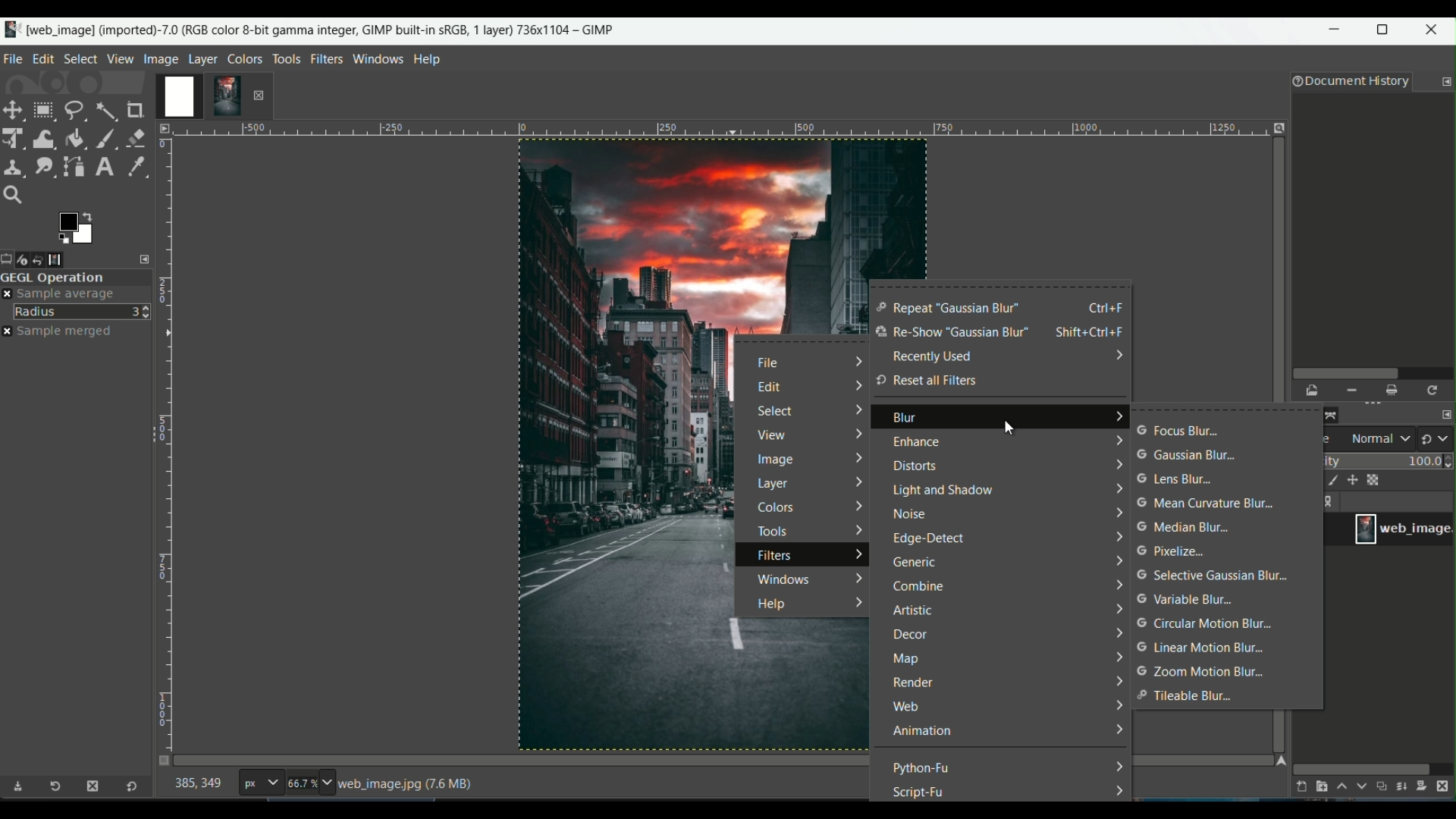 Image resolution: width=1456 pixels, height=819 pixels. Describe the element at coordinates (931, 541) in the screenshot. I see `edge detect` at that location.